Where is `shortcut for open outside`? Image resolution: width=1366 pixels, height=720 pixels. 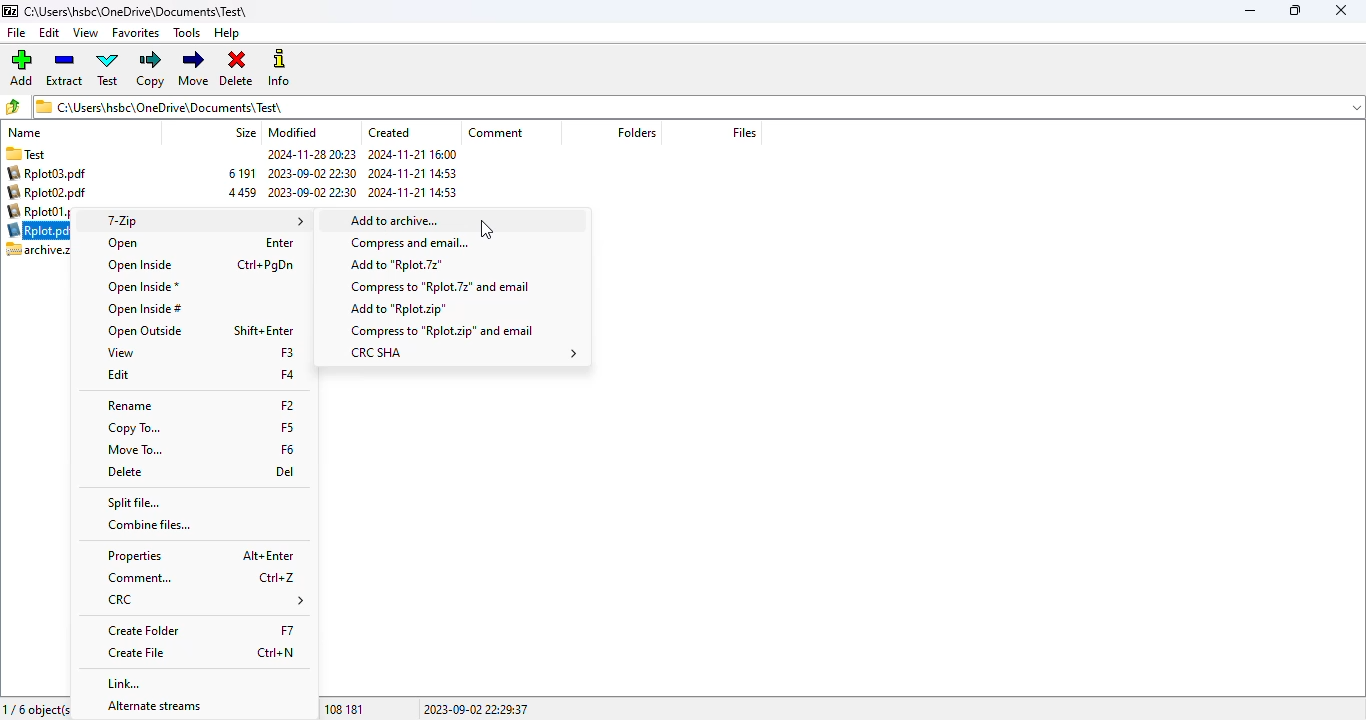 shortcut for open outside is located at coordinates (264, 331).